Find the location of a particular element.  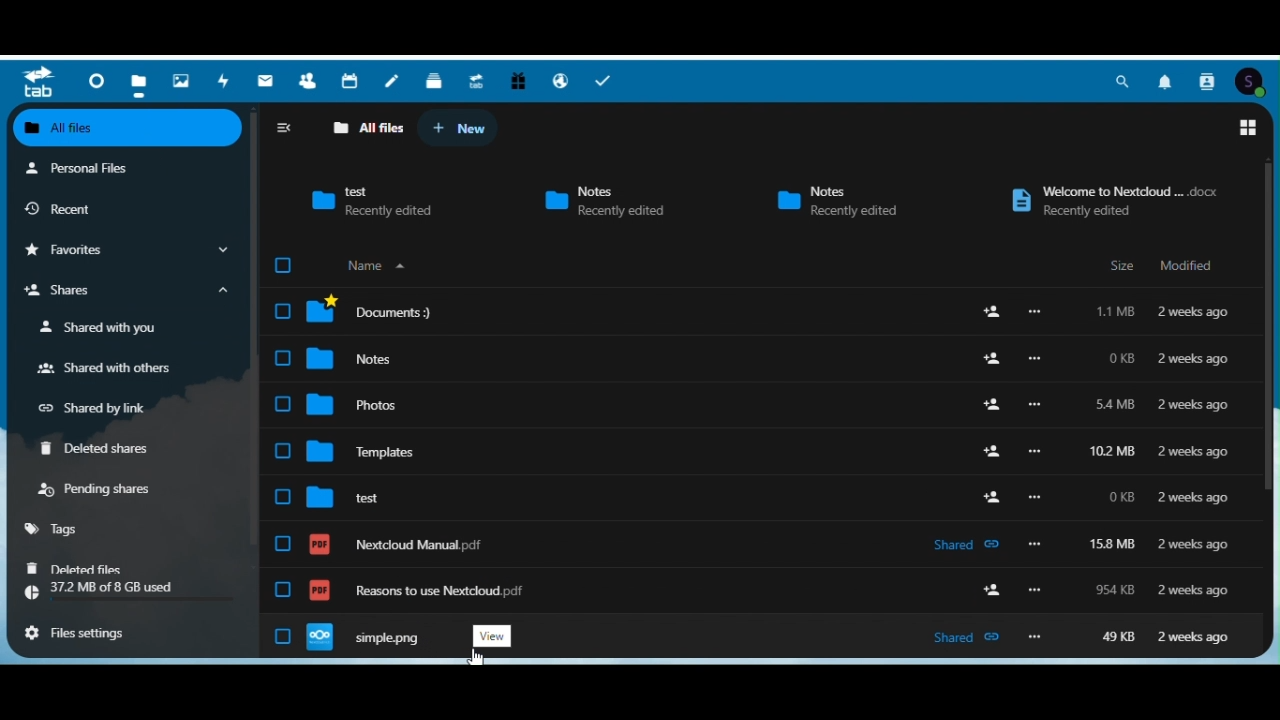

templates is located at coordinates (360, 451).